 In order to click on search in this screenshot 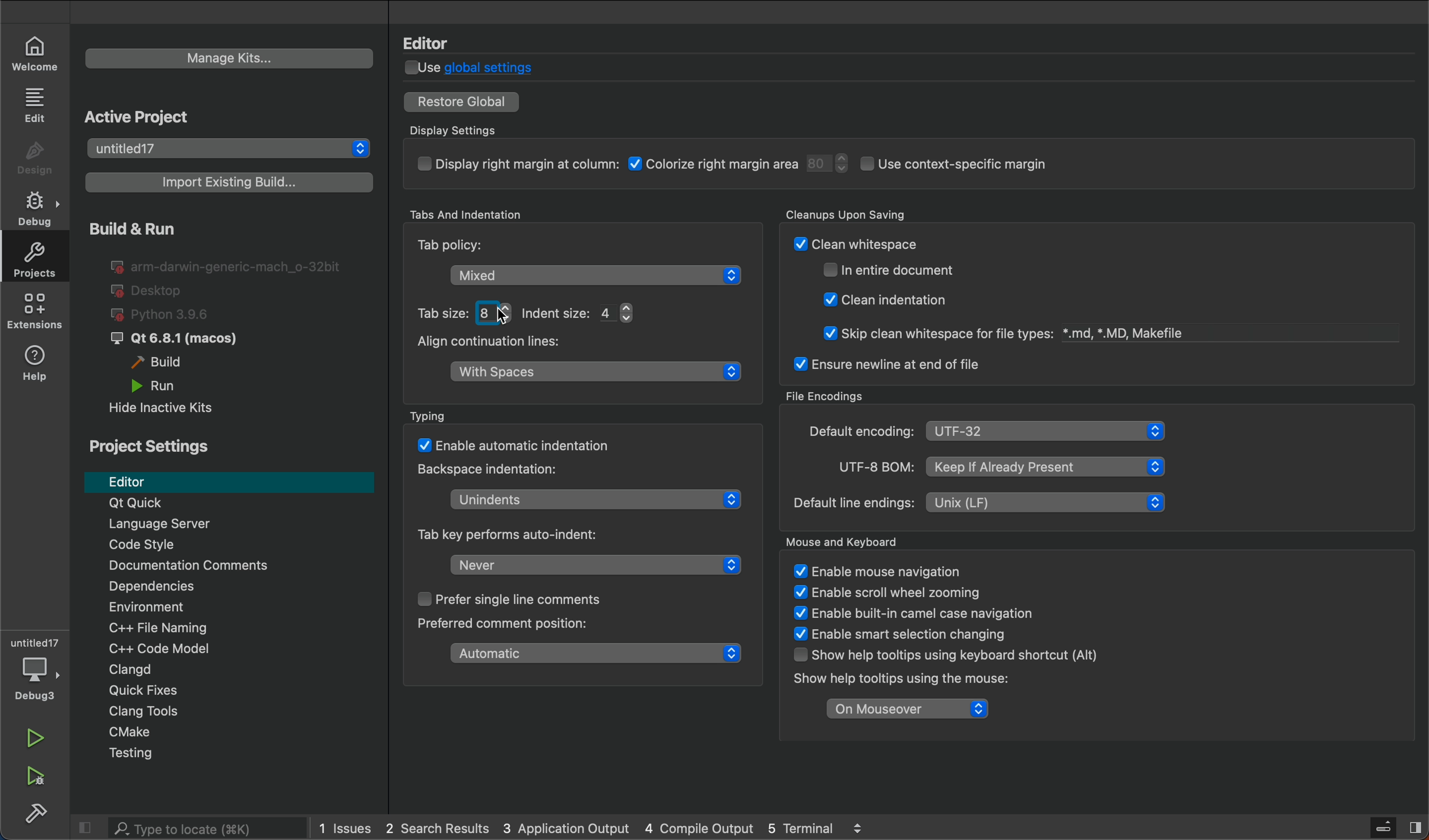, I will do `click(189, 828)`.